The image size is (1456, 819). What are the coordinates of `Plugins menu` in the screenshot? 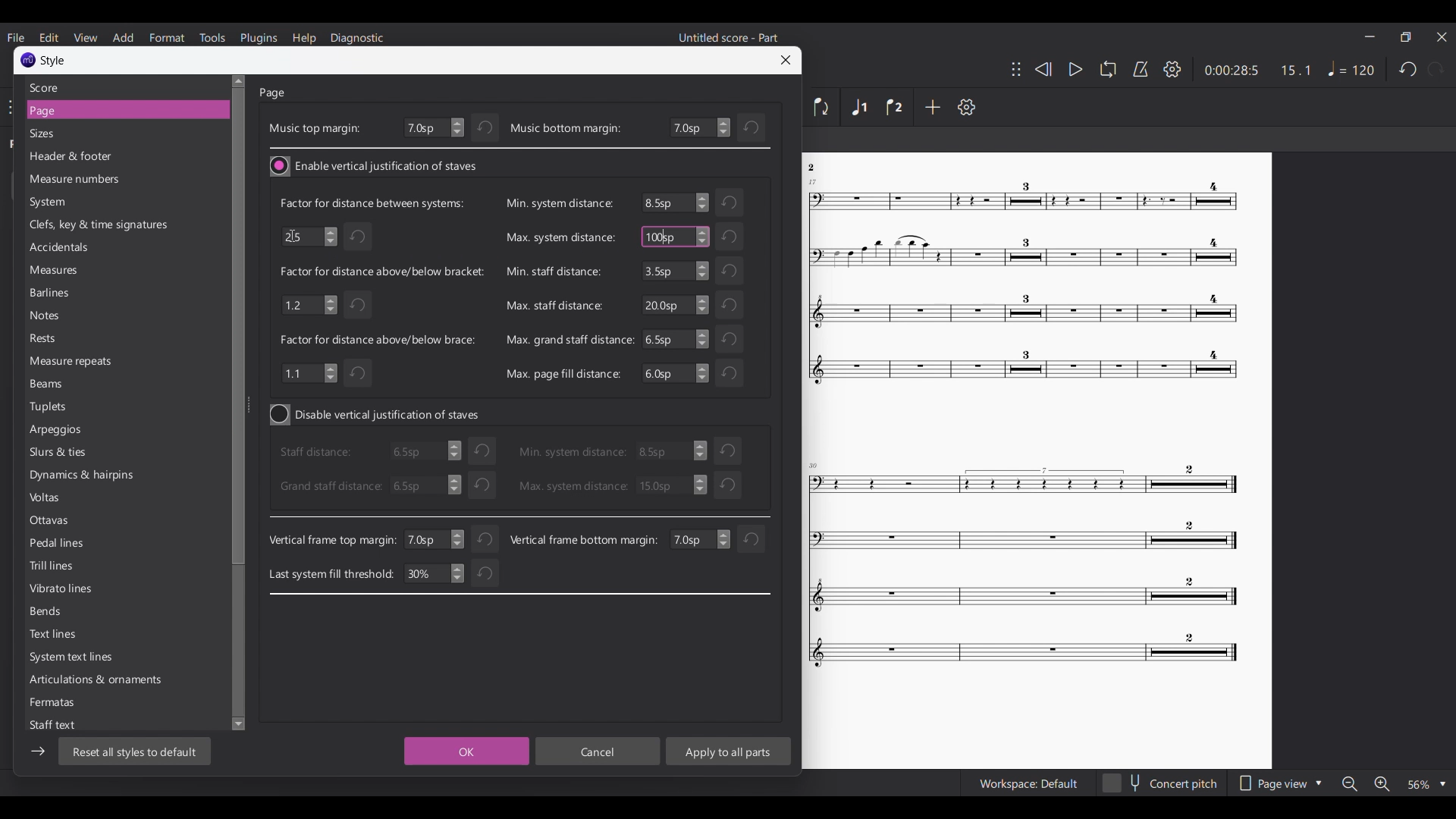 It's located at (259, 38).